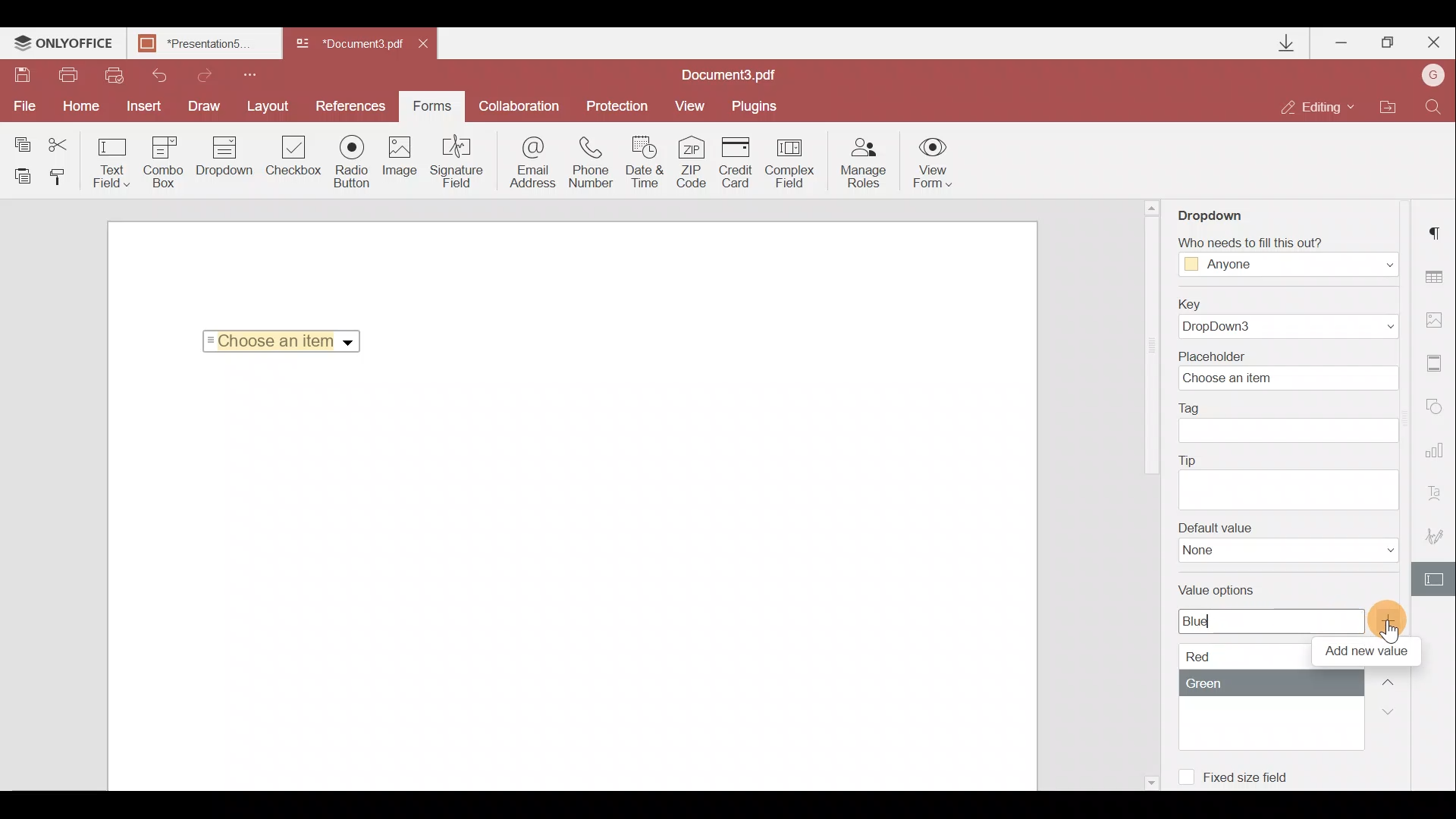 The width and height of the screenshot is (1456, 819). Describe the element at coordinates (64, 45) in the screenshot. I see `ONLYOFFICE` at that location.